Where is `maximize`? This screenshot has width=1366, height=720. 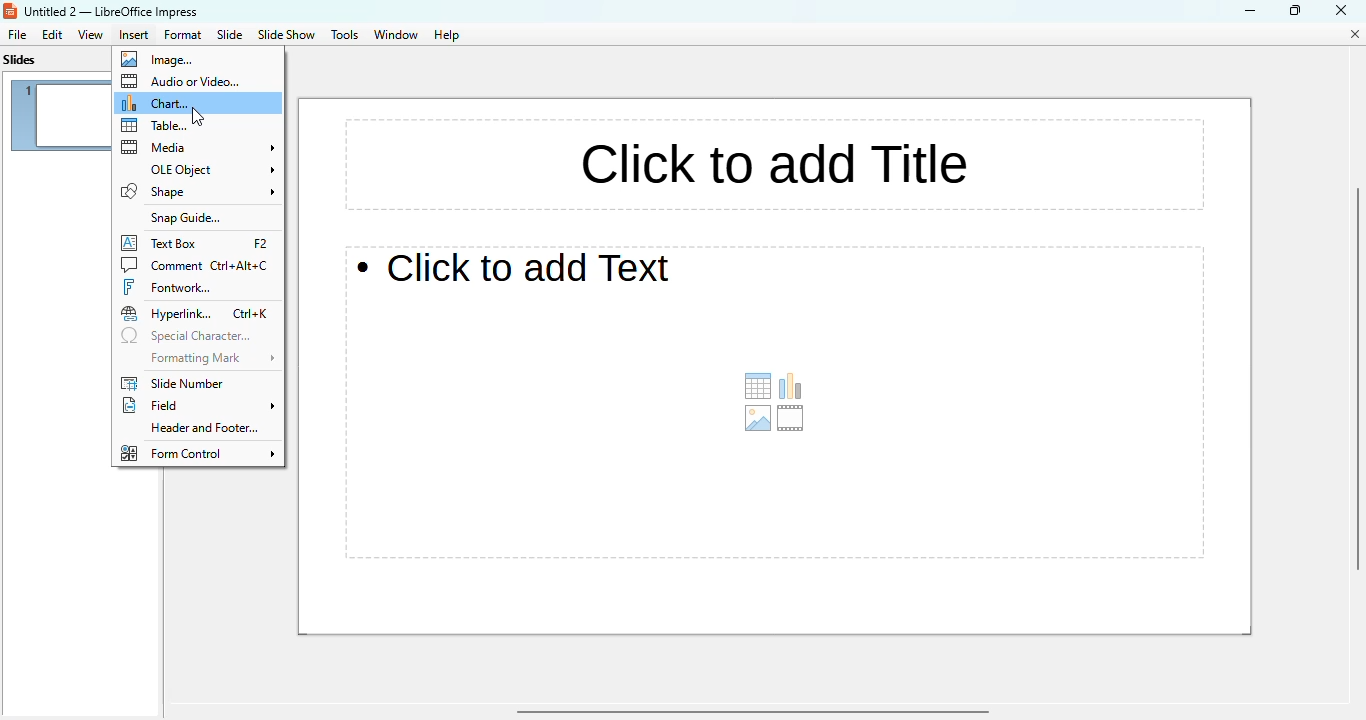 maximize is located at coordinates (1295, 10).